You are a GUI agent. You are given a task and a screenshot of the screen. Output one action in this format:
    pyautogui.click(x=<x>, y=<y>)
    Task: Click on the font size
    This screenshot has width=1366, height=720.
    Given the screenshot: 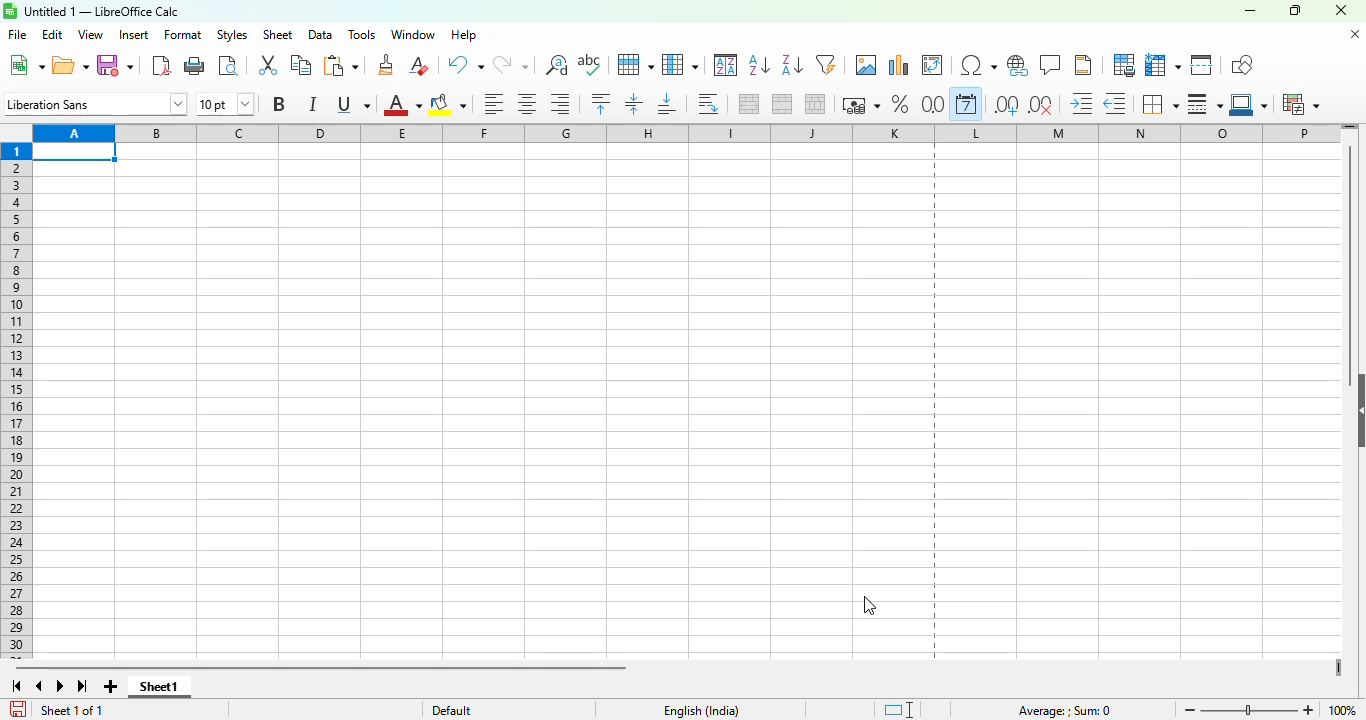 What is the action you would take?
    pyautogui.click(x=226, y=103)
    